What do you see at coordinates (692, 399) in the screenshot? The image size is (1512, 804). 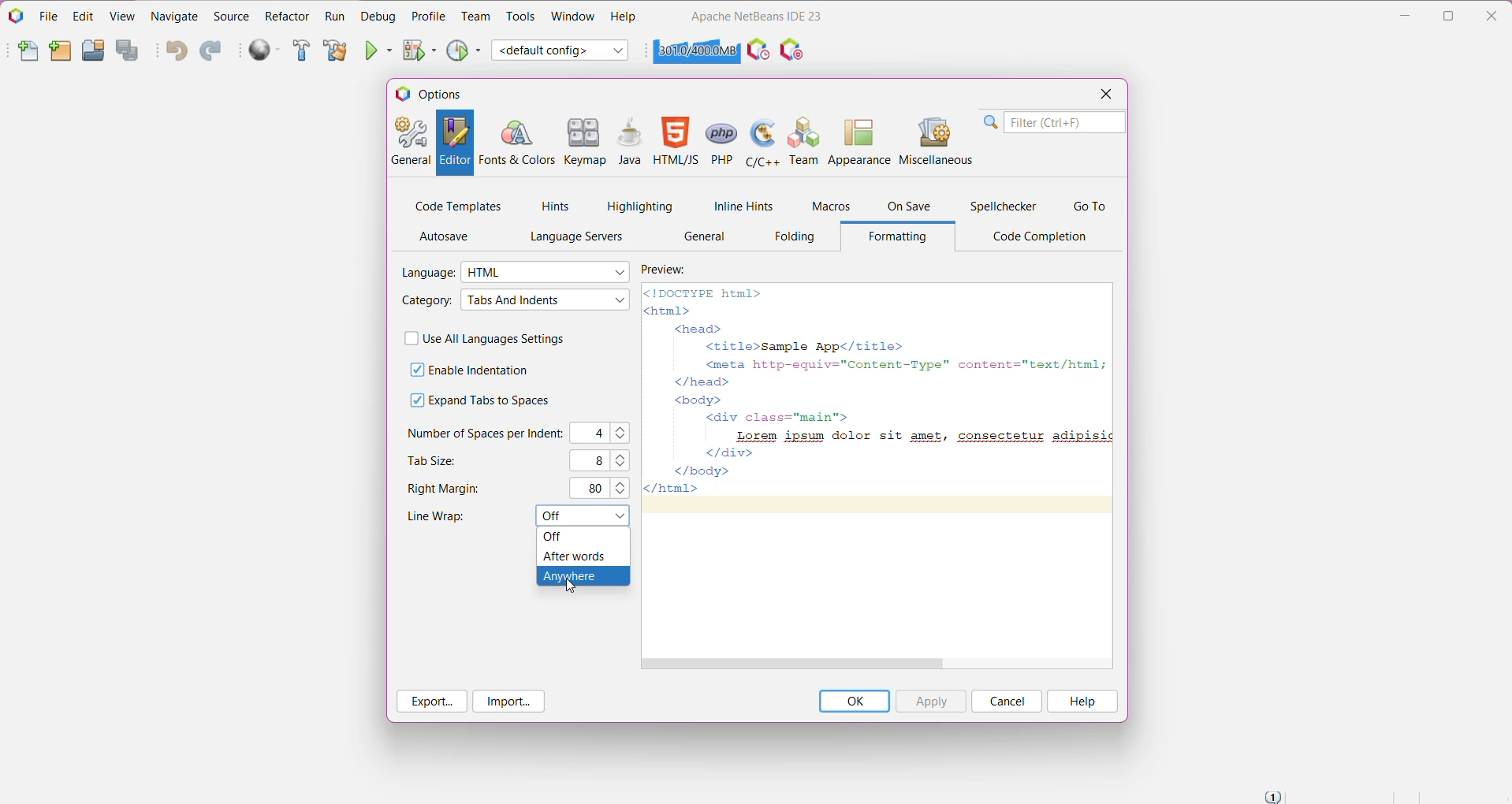 I see `<body>` at bounding box center [692, 399].